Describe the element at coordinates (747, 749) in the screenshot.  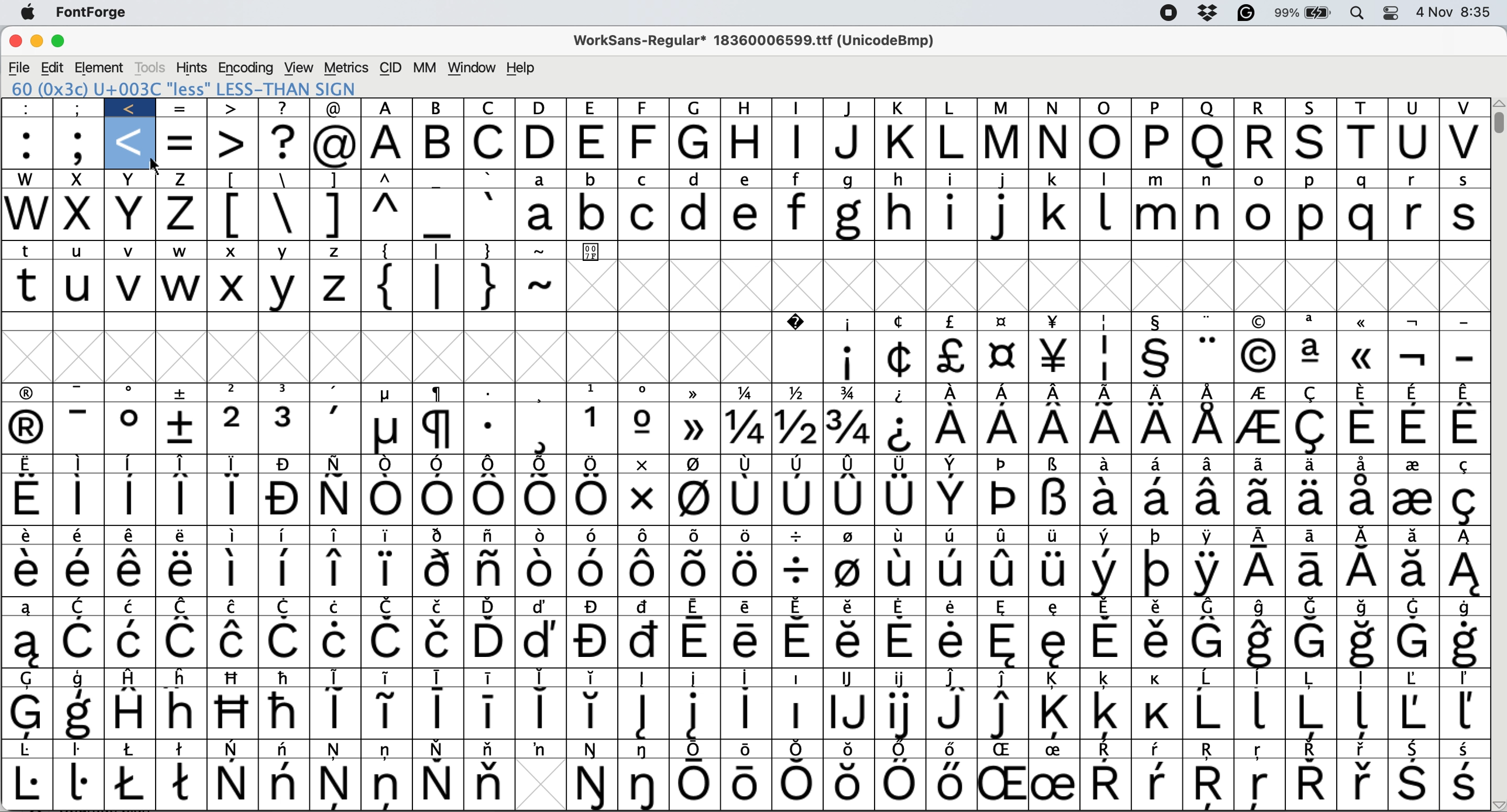
I see `Symbol` at that location.